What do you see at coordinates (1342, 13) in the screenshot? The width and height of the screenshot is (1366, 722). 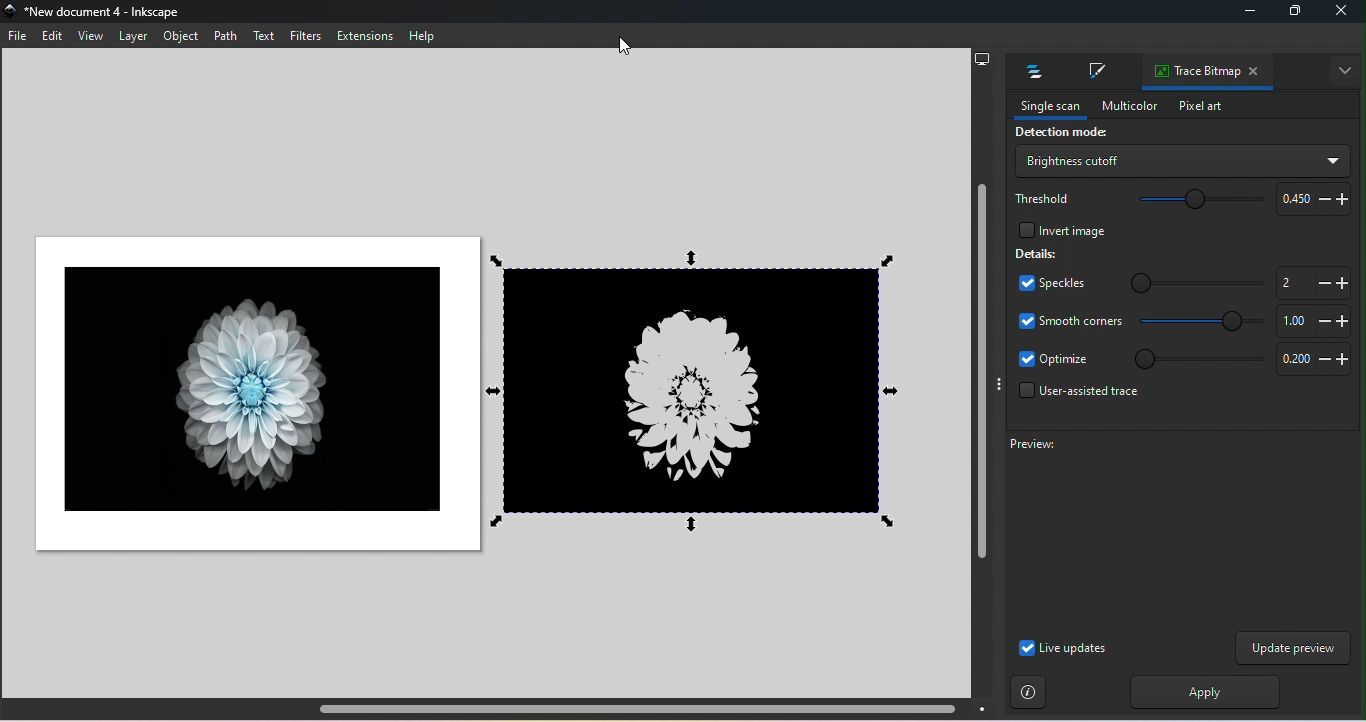 I see `close` at bounding box center [1342, 13].